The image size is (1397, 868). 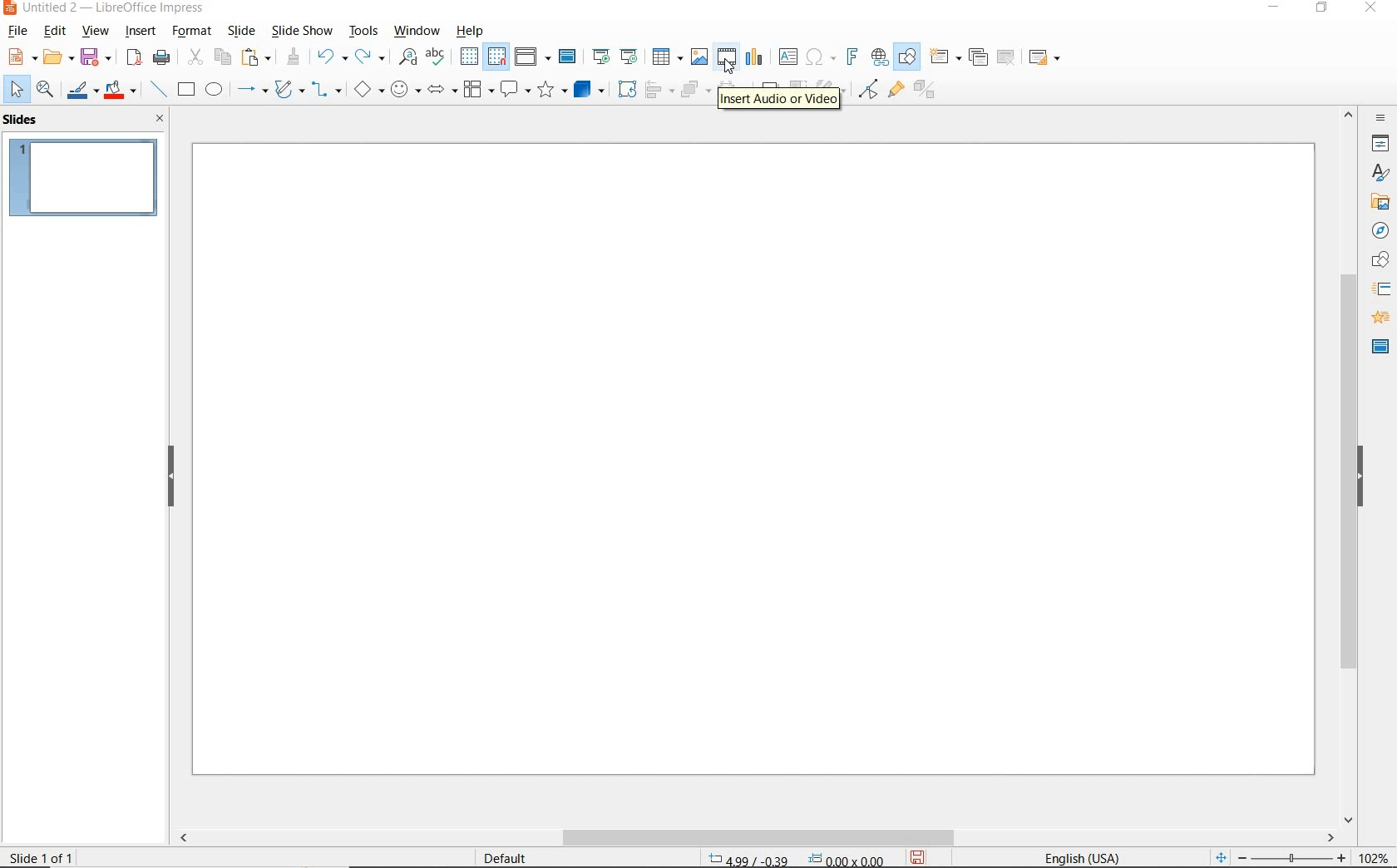 What do you see at coordinates (478, 92) in the screenshot?
I see `FLOWCHART` at bounding box center [478, 92].